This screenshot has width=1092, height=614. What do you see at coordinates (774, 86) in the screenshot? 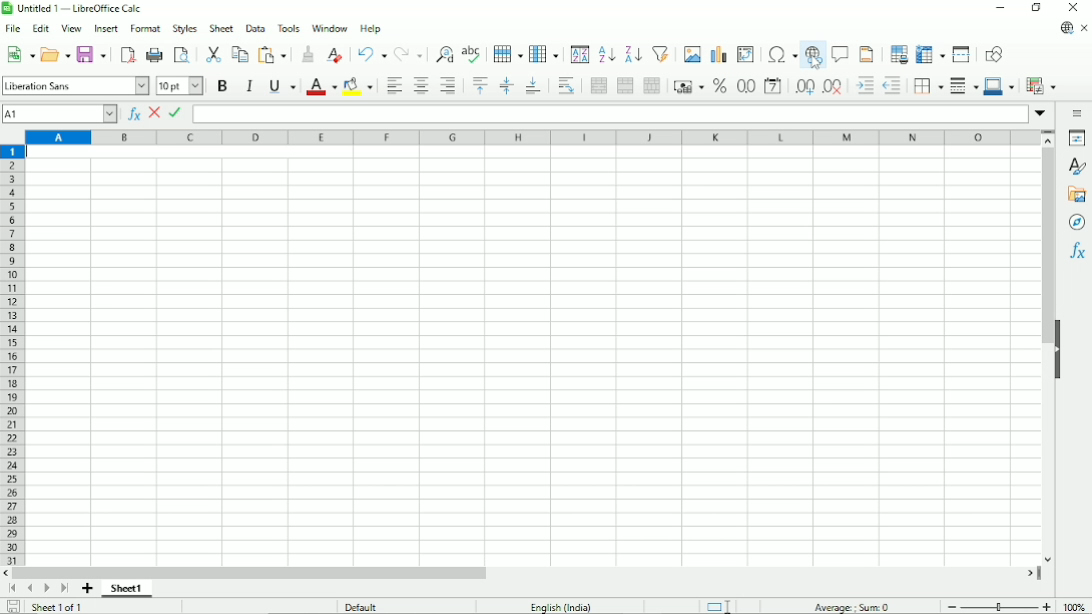
I see `Format as date` at bounding box center [774, 86].